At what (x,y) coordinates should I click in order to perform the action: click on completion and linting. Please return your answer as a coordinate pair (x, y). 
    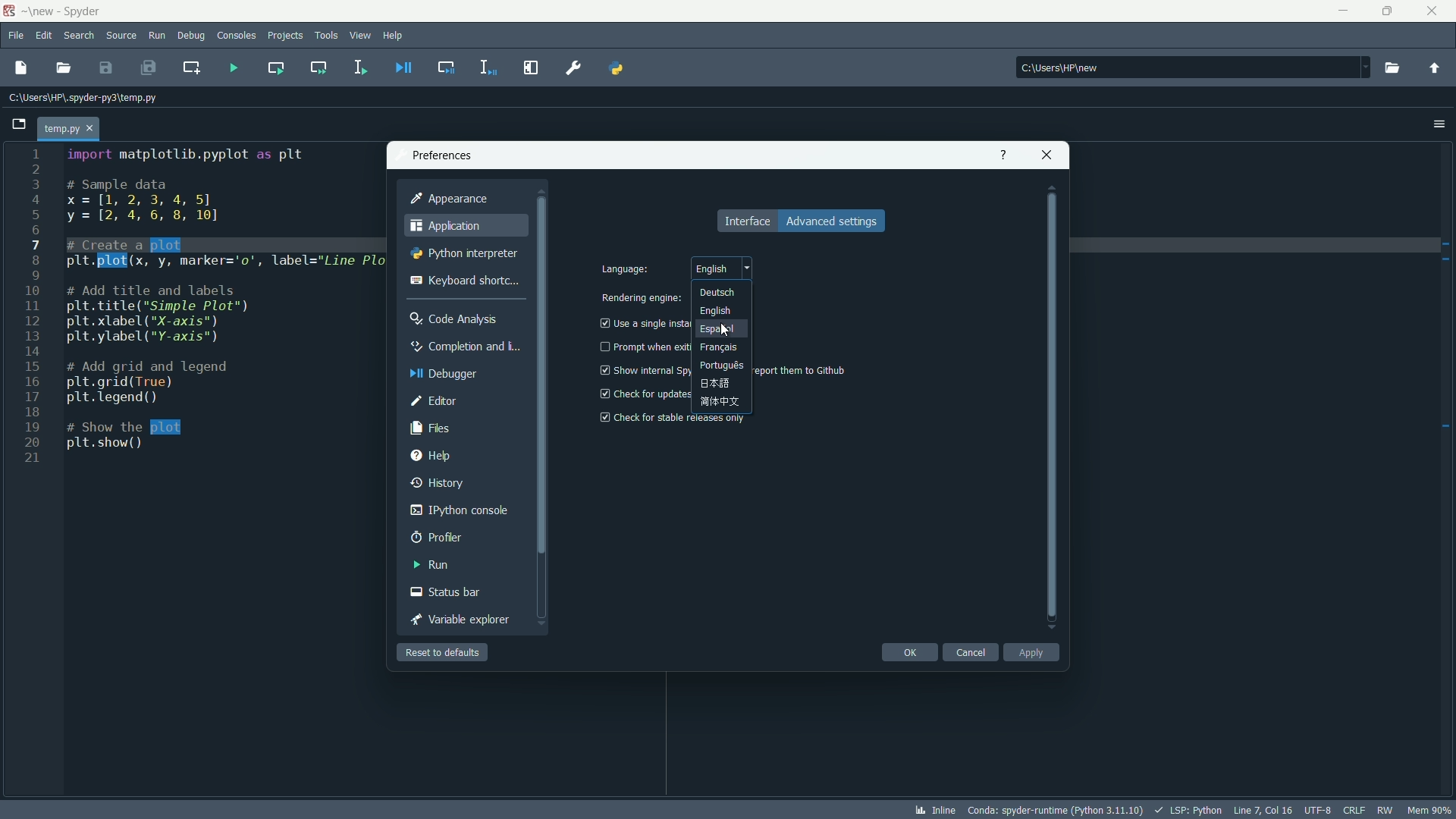
    Looking at the image, I should click on (466, 346).